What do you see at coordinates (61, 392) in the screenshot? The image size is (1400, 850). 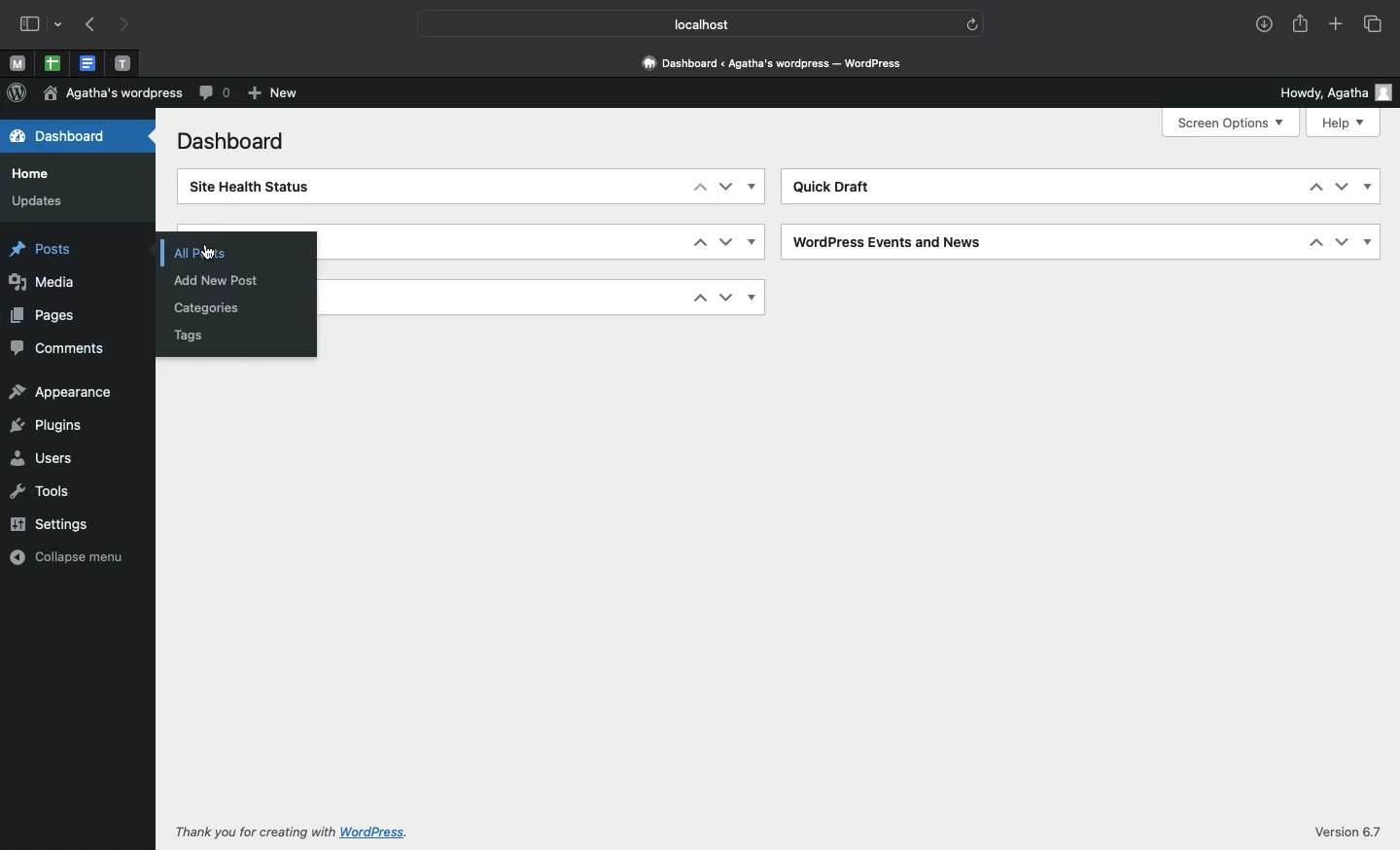 I see `Appearance` at bounding box center [61, 392].